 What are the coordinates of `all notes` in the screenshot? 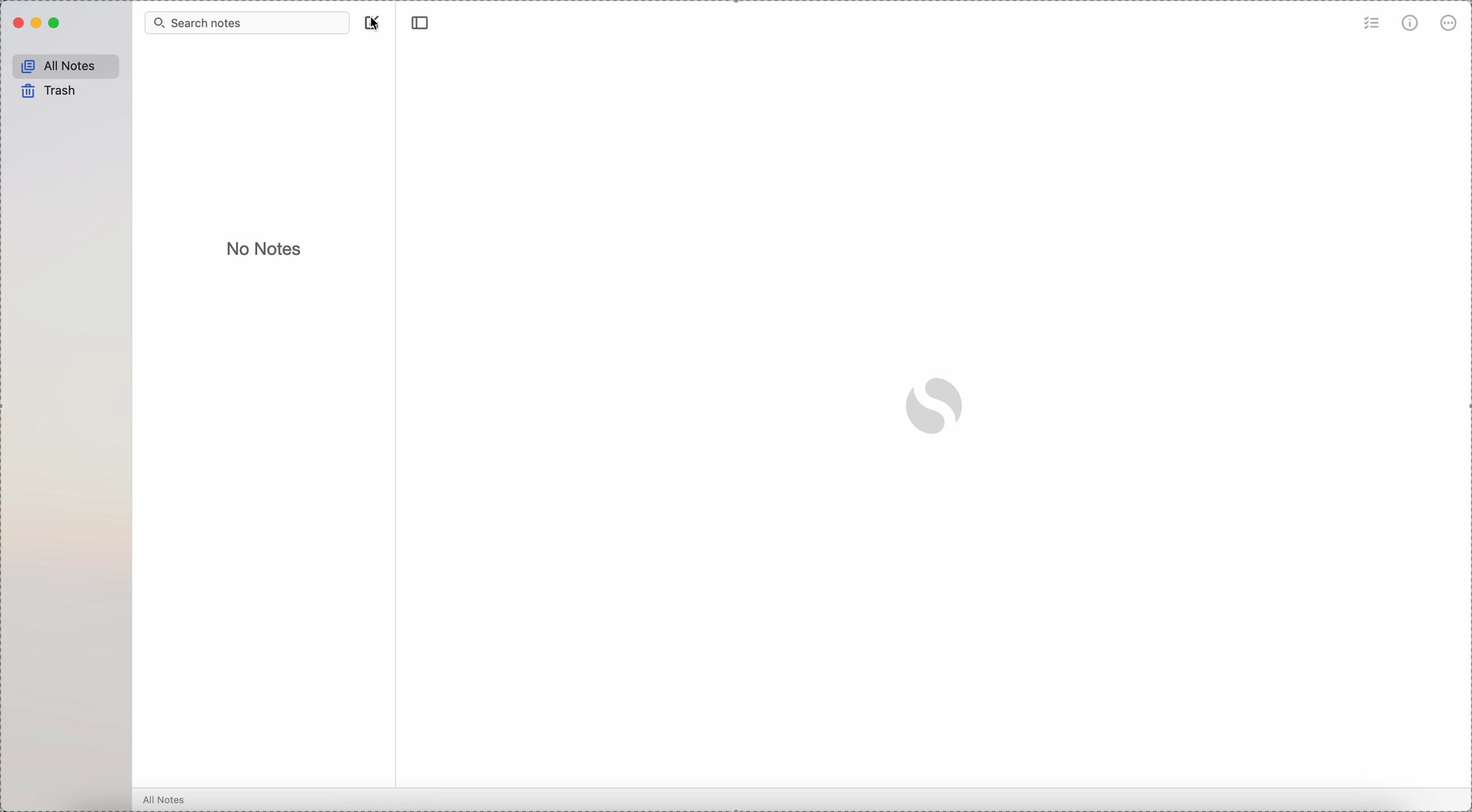 It's located at (165, 801).